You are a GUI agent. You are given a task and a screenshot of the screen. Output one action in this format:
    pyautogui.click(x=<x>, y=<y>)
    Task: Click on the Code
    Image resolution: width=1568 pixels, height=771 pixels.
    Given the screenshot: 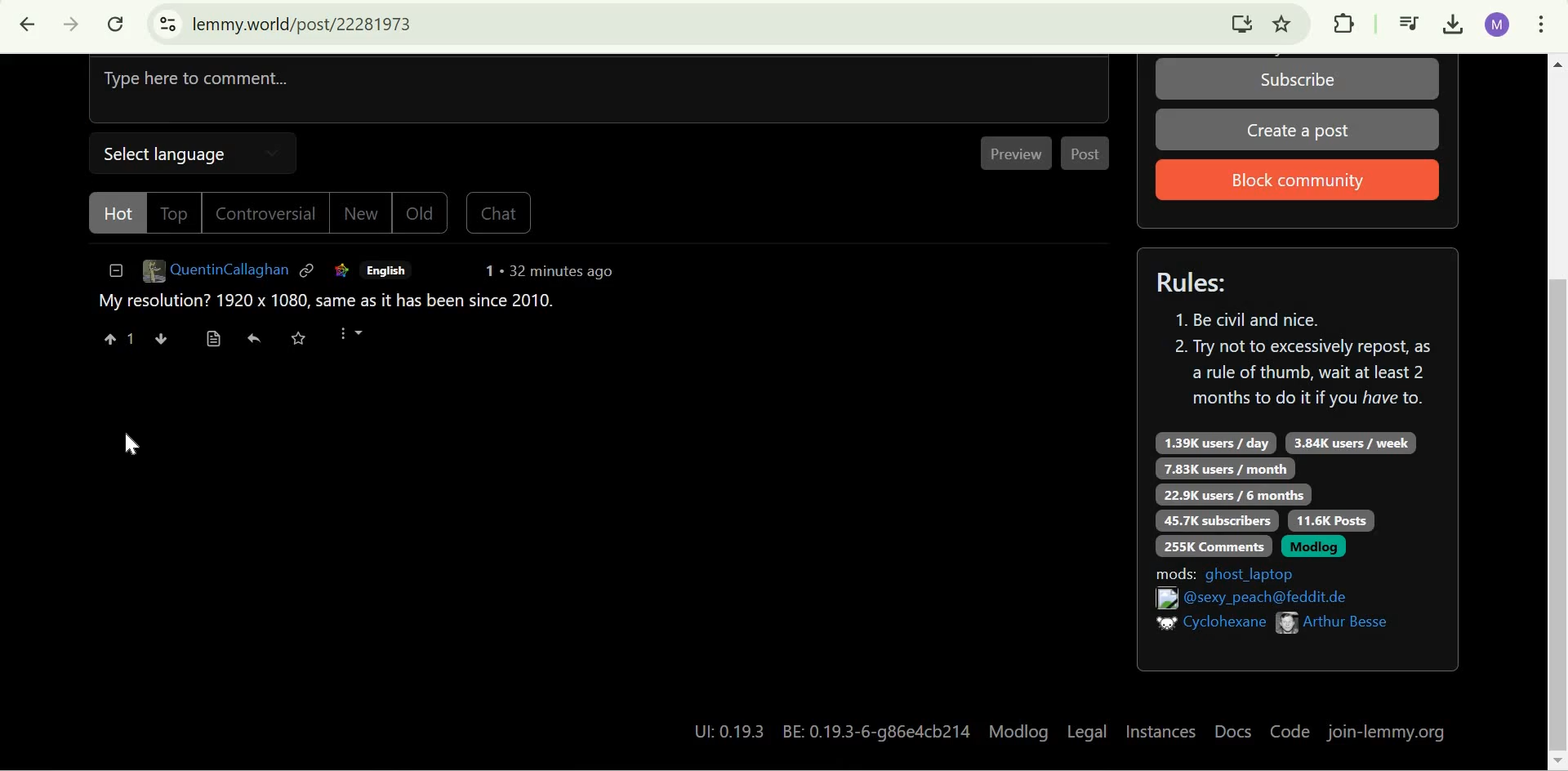 What is the action you would take?
    pyautogui.click(x=1288, y=733)
    